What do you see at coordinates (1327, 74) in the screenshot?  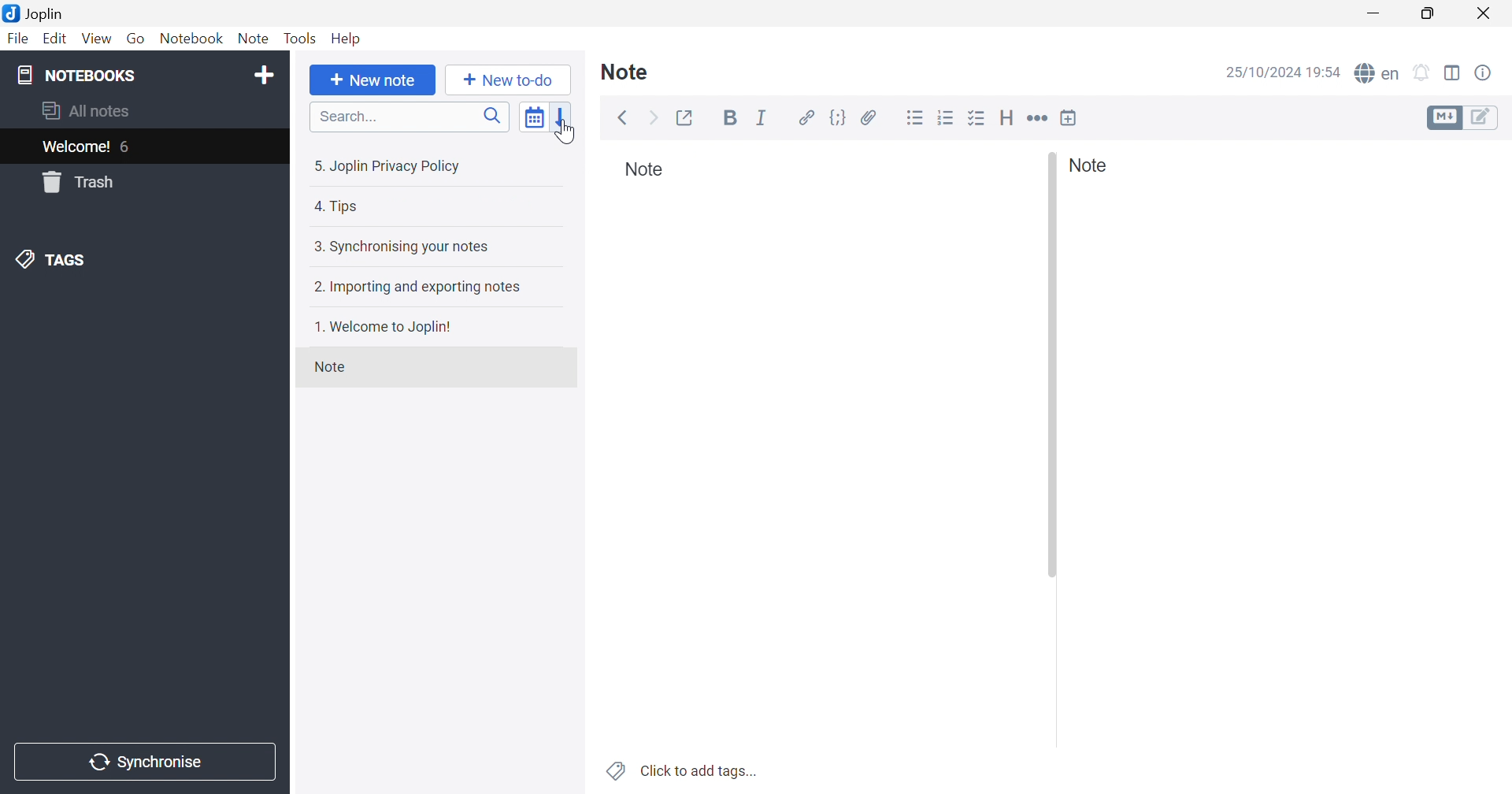 I see `19:54` at bounding box center [1327, 74].